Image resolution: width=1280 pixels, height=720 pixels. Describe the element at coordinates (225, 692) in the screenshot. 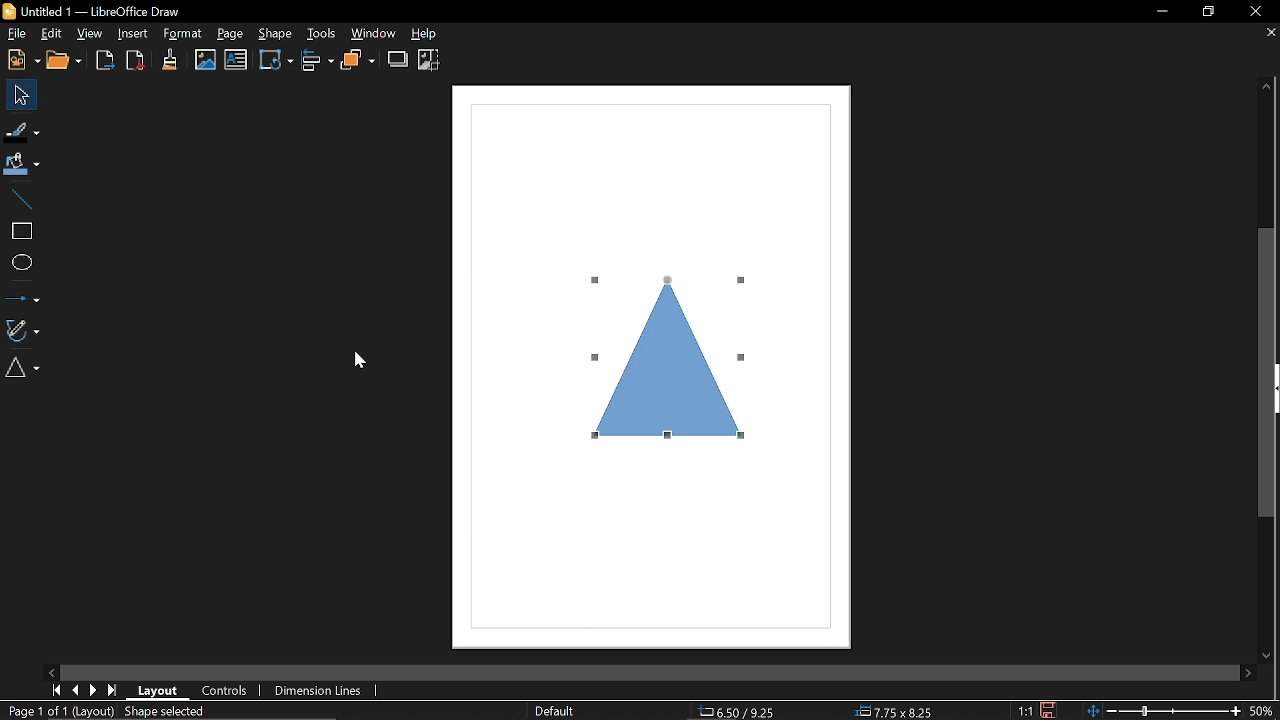

I see `Controls` at that location.